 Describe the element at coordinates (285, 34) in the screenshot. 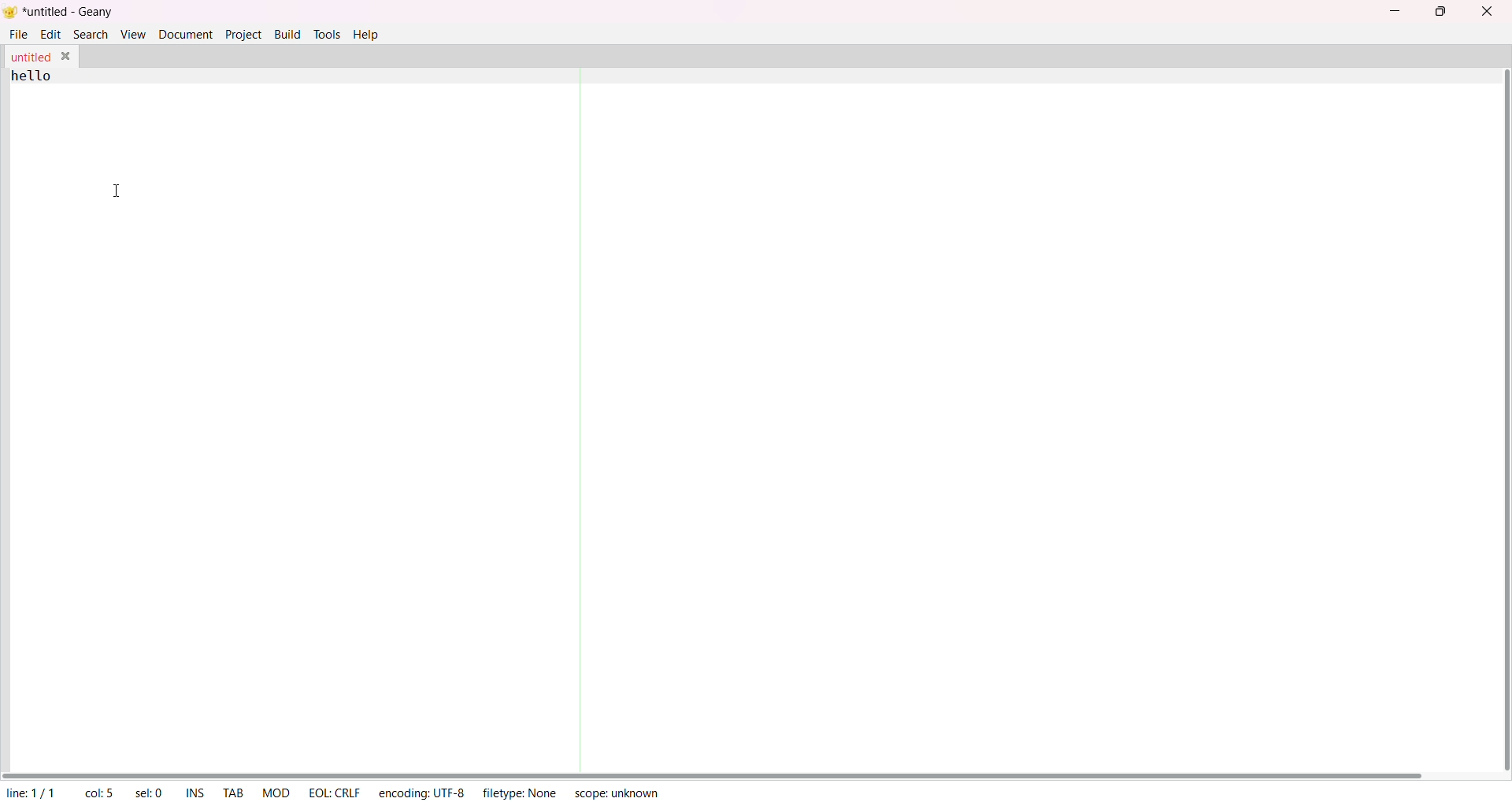

I see `build` at that location.